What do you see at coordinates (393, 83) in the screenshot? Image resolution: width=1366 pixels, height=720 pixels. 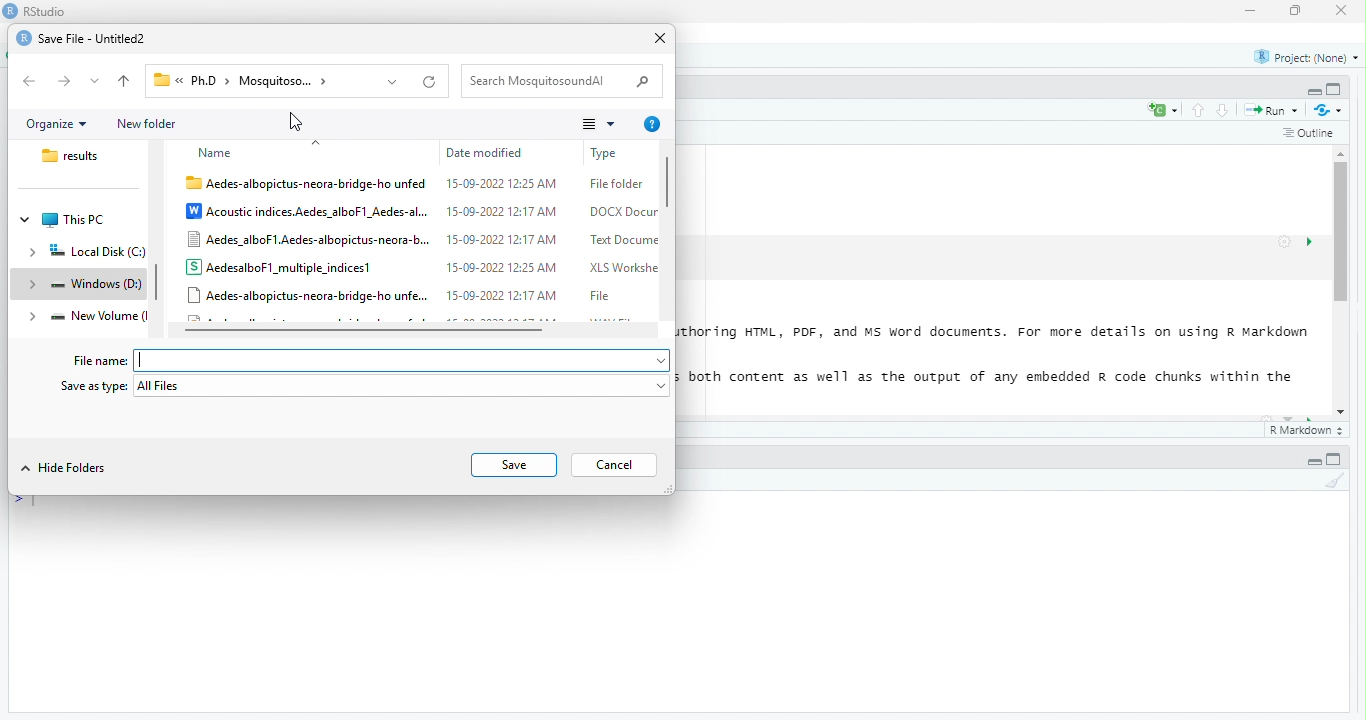 I see `Drop-down ` at bounding box center [393, 83].